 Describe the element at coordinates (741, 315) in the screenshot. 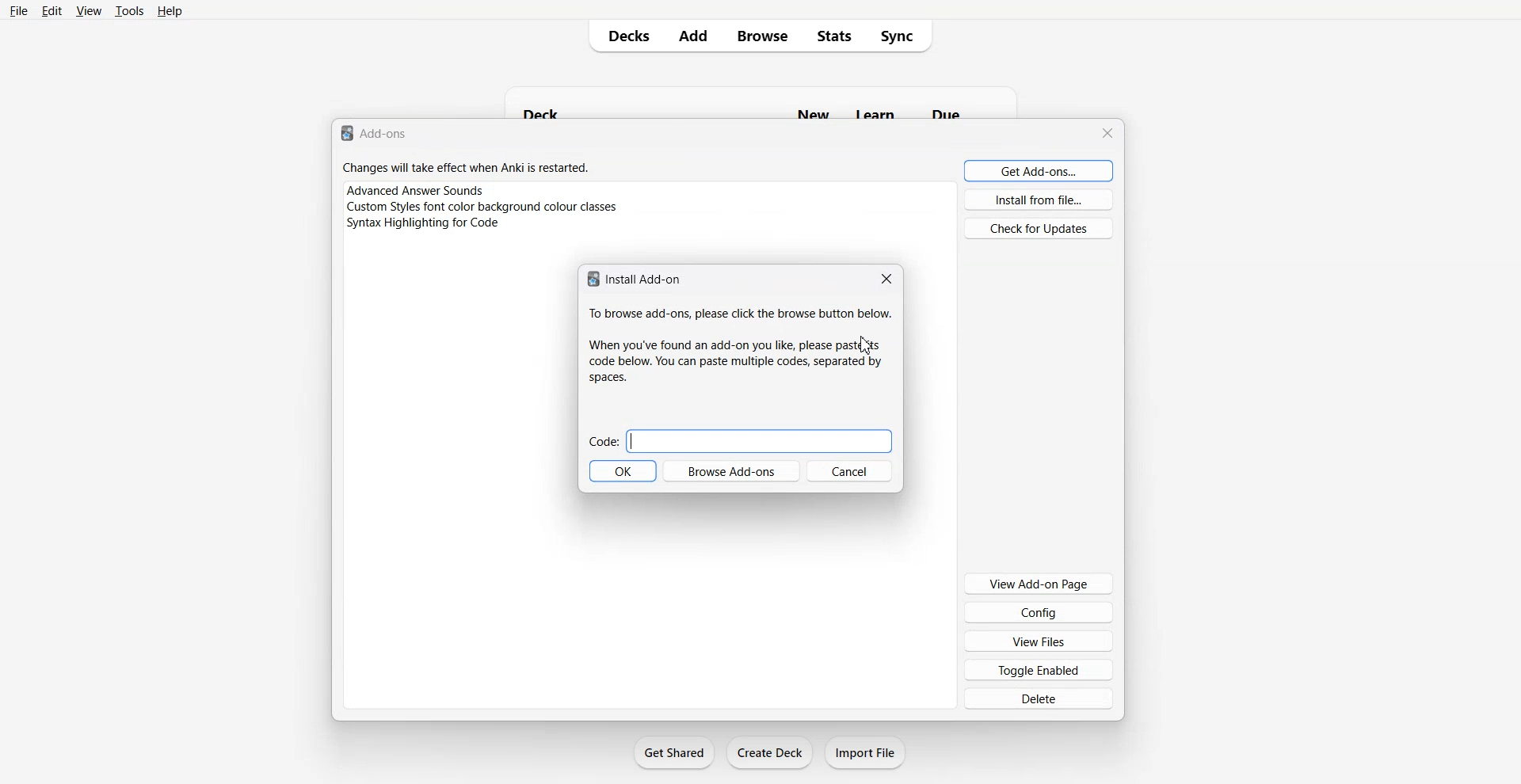

I see `text` at that location.